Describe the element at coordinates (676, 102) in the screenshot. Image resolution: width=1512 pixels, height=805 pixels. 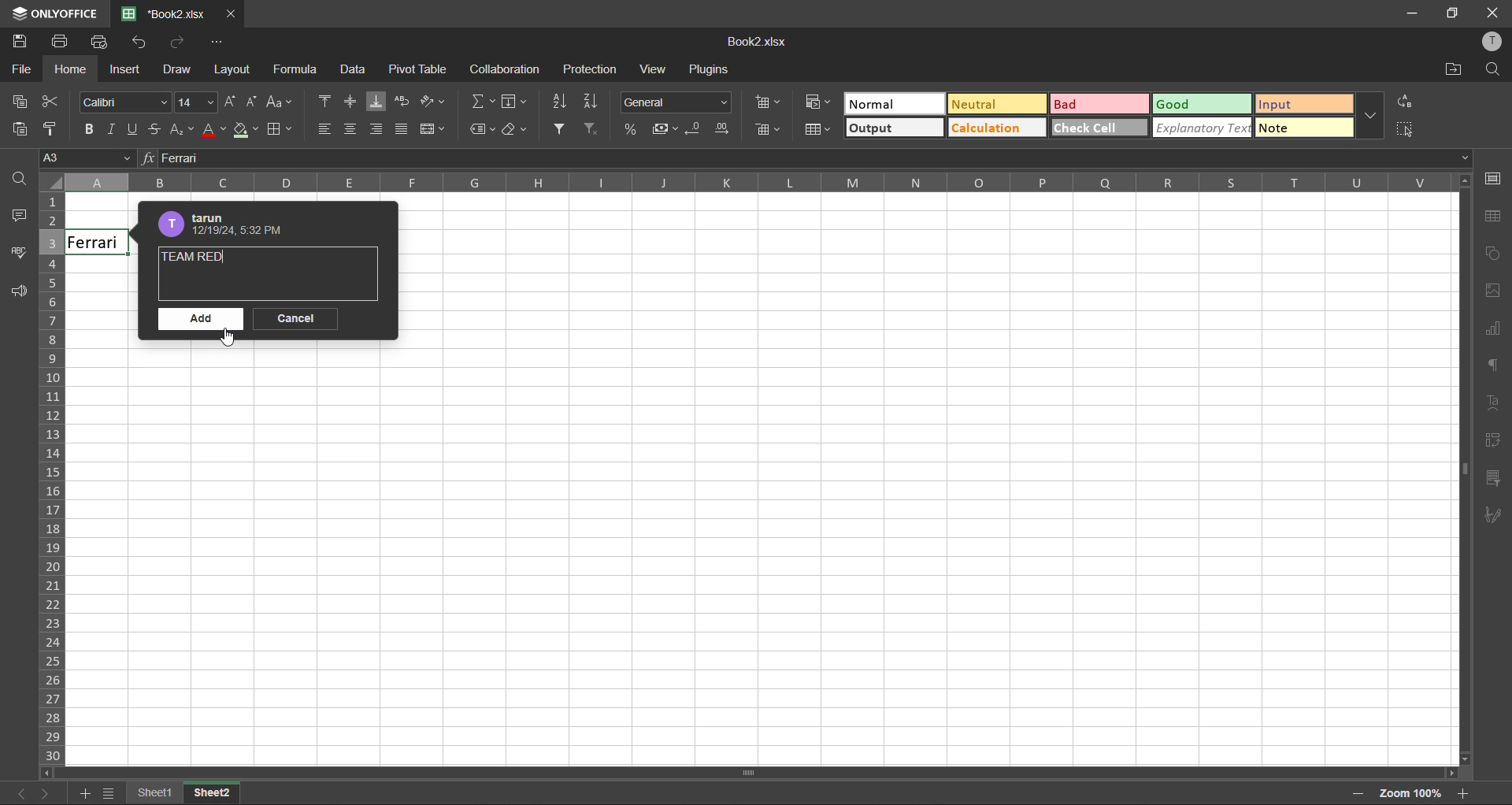
I see `number format` at that location.